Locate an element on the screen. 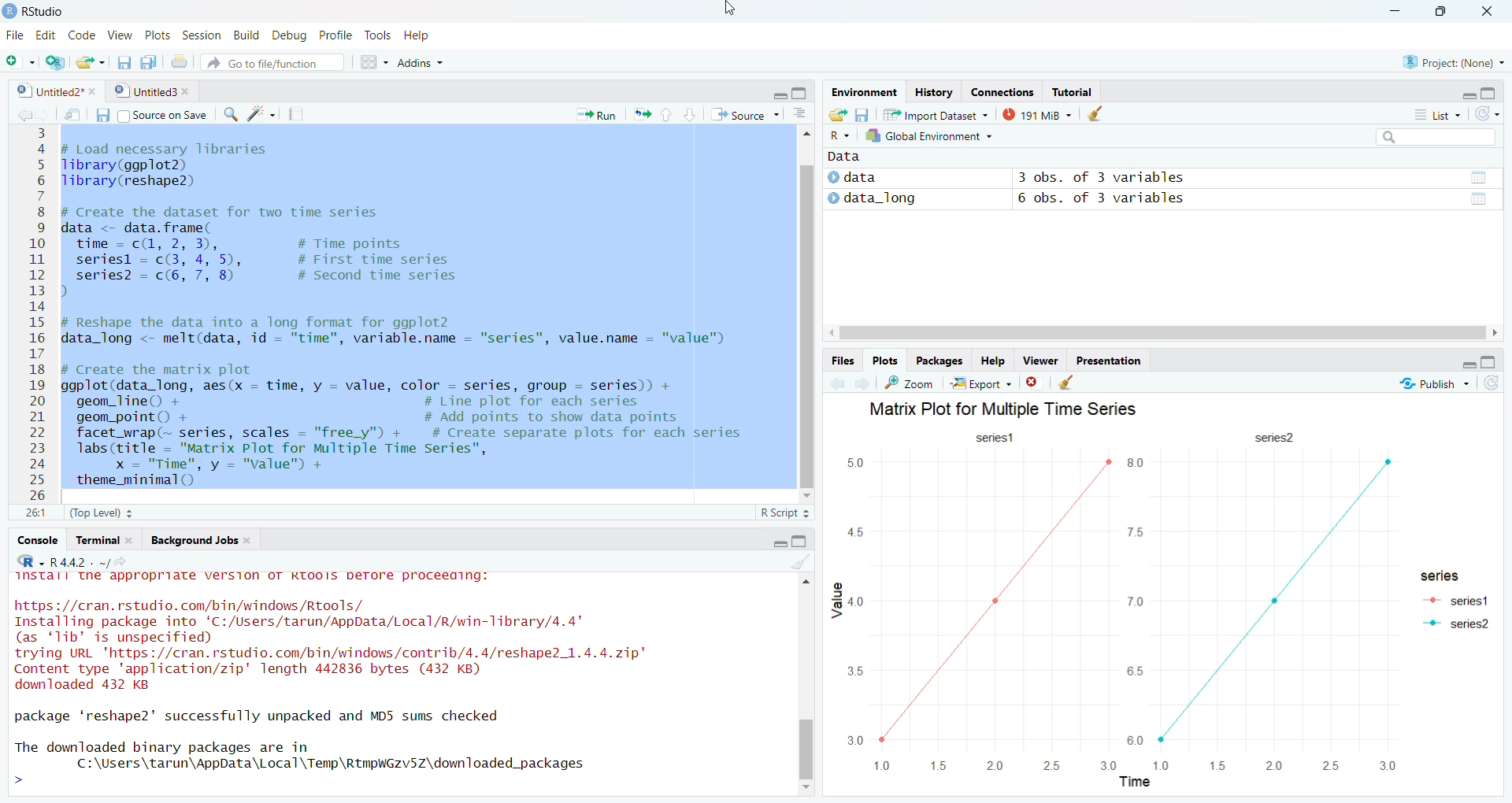 The width and height of the screenshot is (1512, 803). Session is located at coordinates (201, 35).